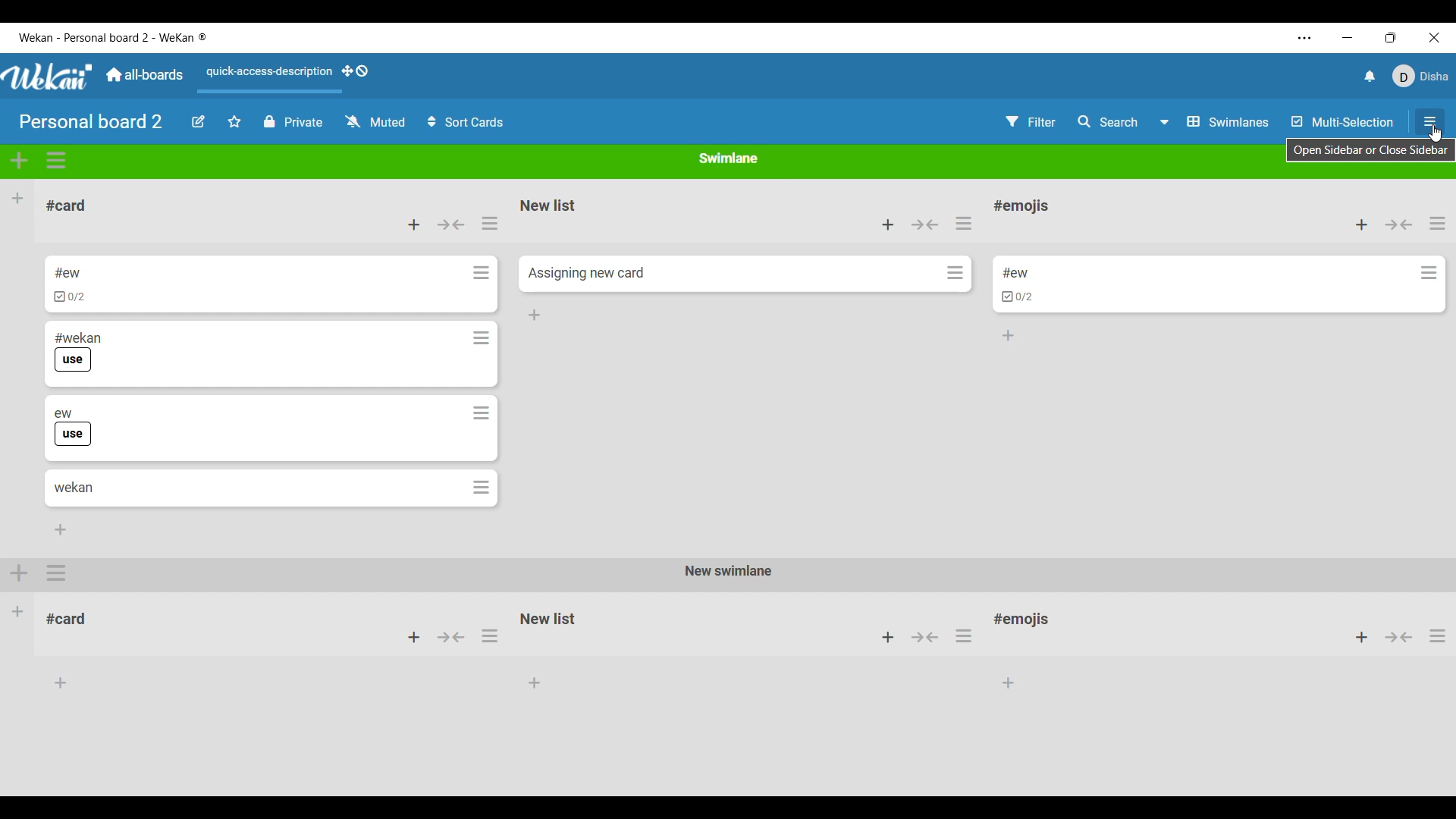 Image resolution: width=1456 pixels, height=819 pixels. What do you see at coordinates (535, 315) in the screenshot?
I see `Add card to bottom of list` at bounding box center [535, 315].